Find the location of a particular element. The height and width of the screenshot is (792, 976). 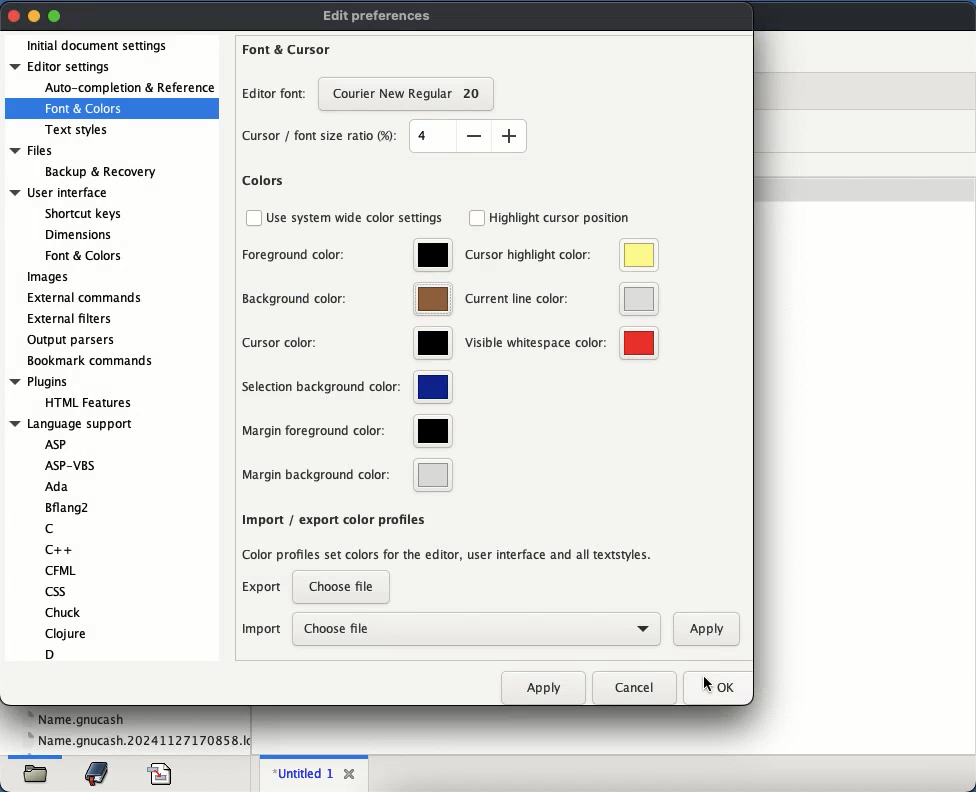

cursor font size ratio is located at coordinates (323, 137).